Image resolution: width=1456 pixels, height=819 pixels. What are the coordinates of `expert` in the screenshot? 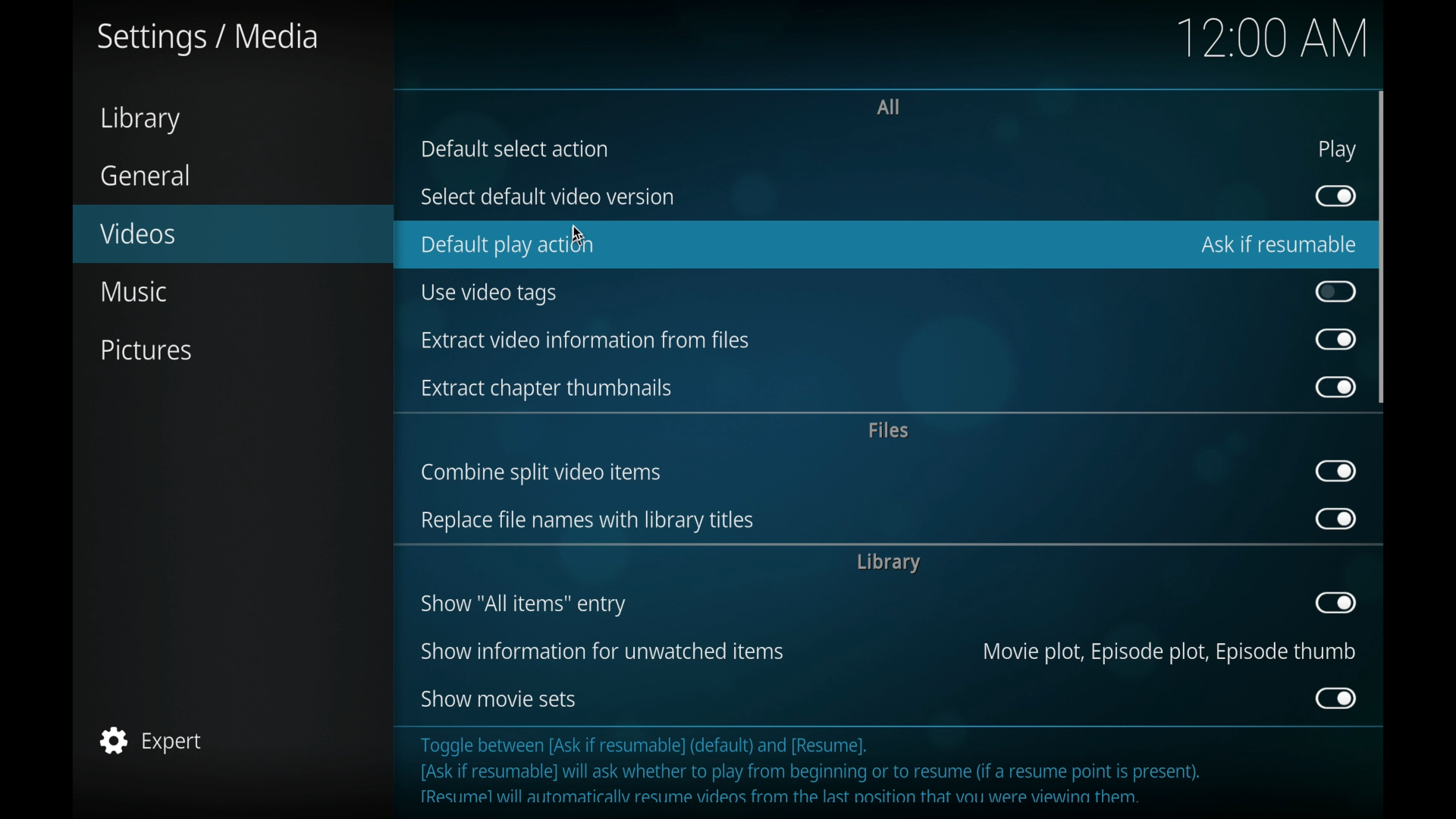 It's located at (151, 739).